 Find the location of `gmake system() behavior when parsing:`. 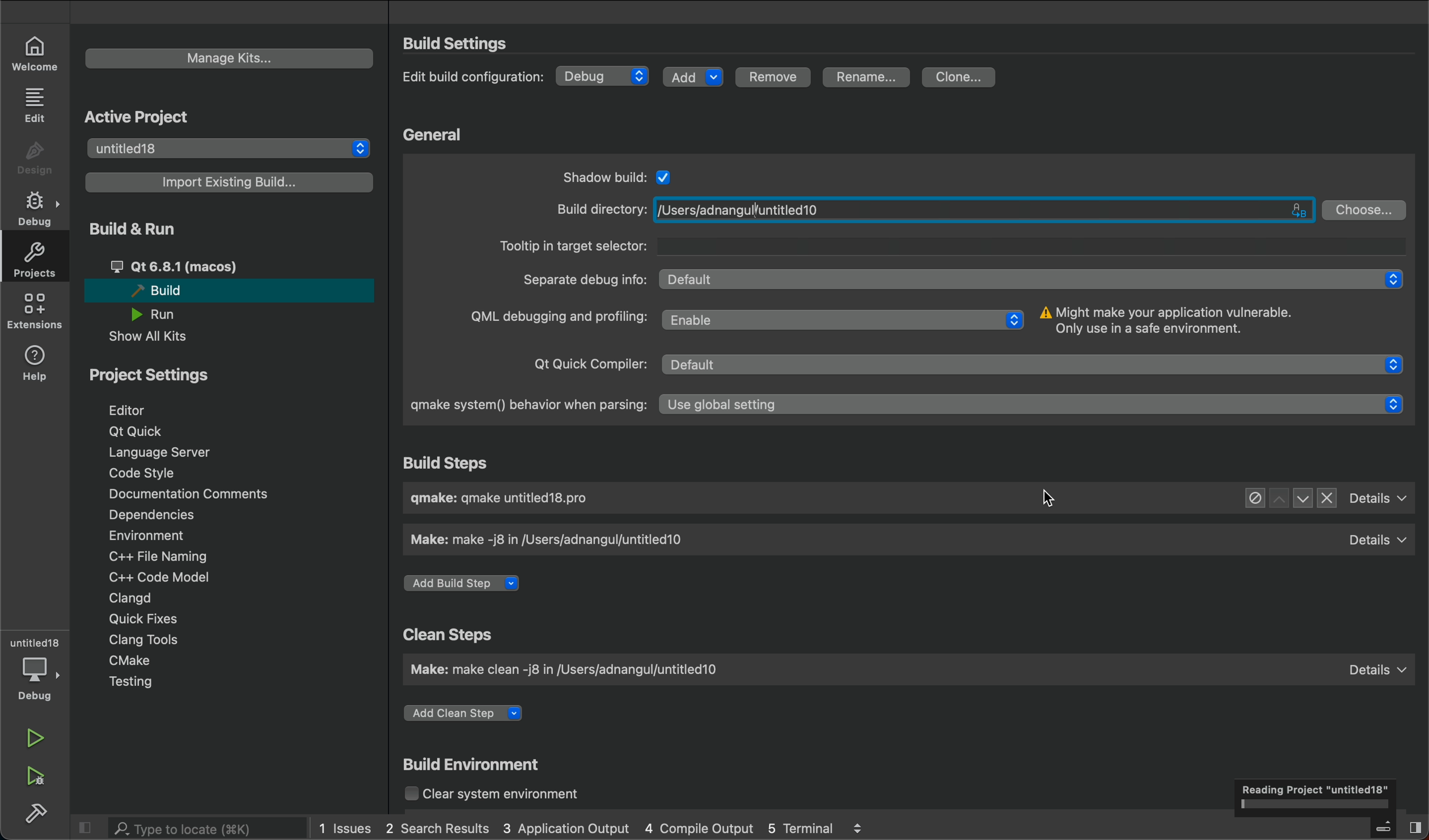

gmake system() behavior when parsing: is located at coordinates (522, 406).